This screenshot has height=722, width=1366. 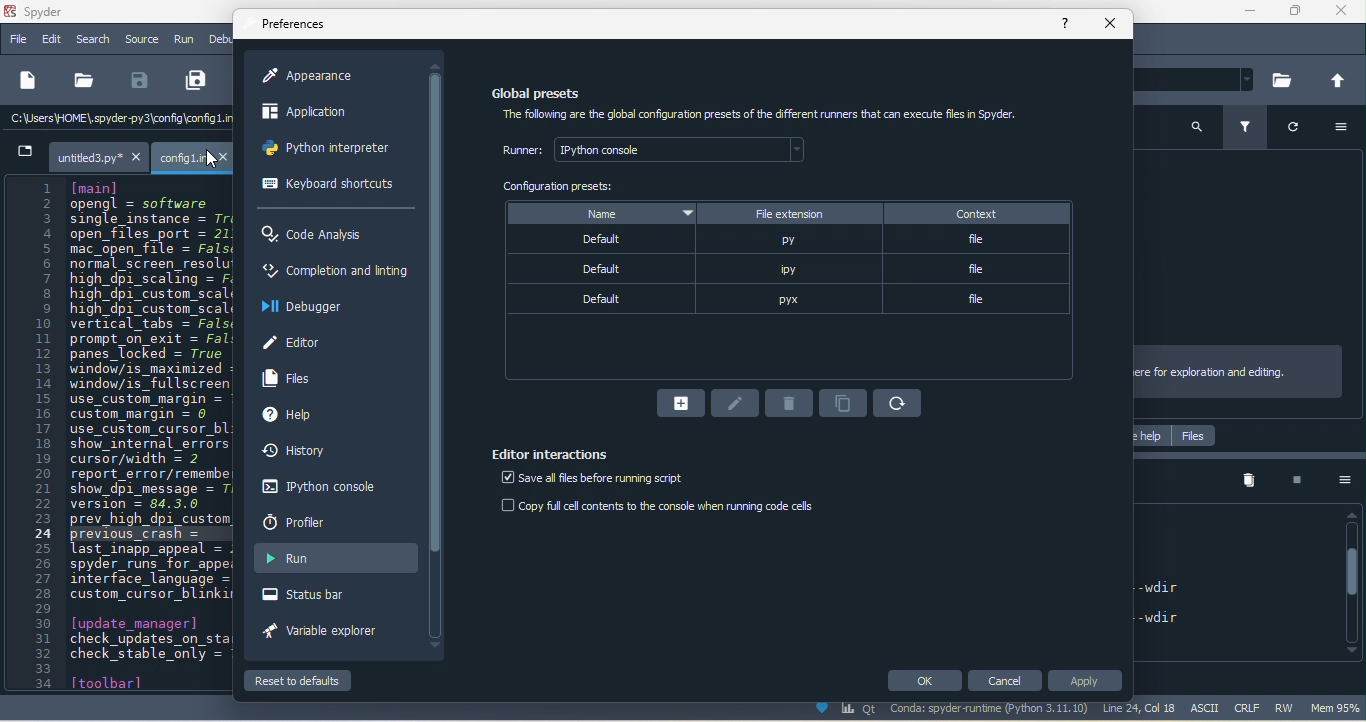 I want to click on save, so click(x=140, y=81).